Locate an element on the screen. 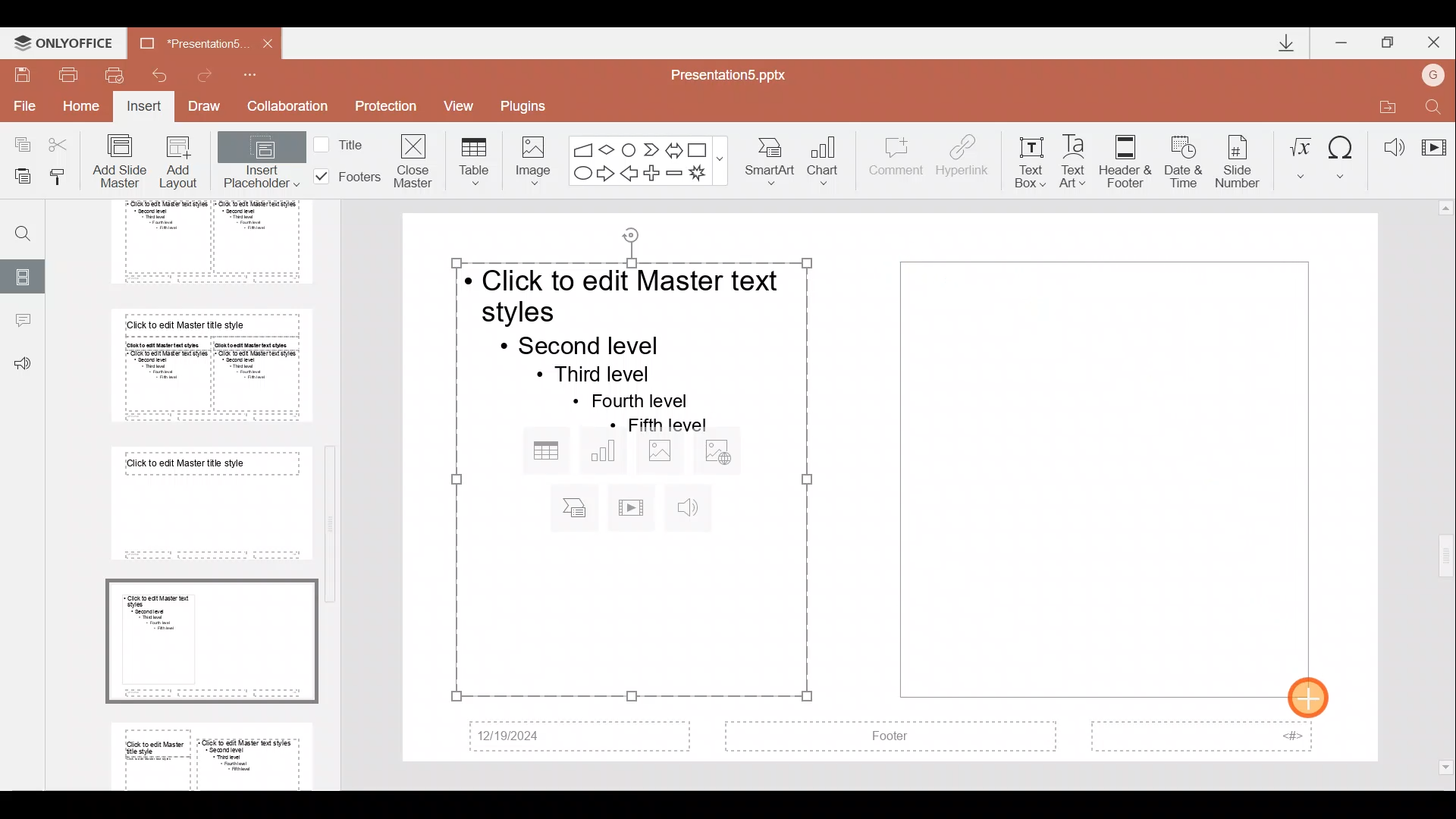  Chart is located at coordinates (833, 162).